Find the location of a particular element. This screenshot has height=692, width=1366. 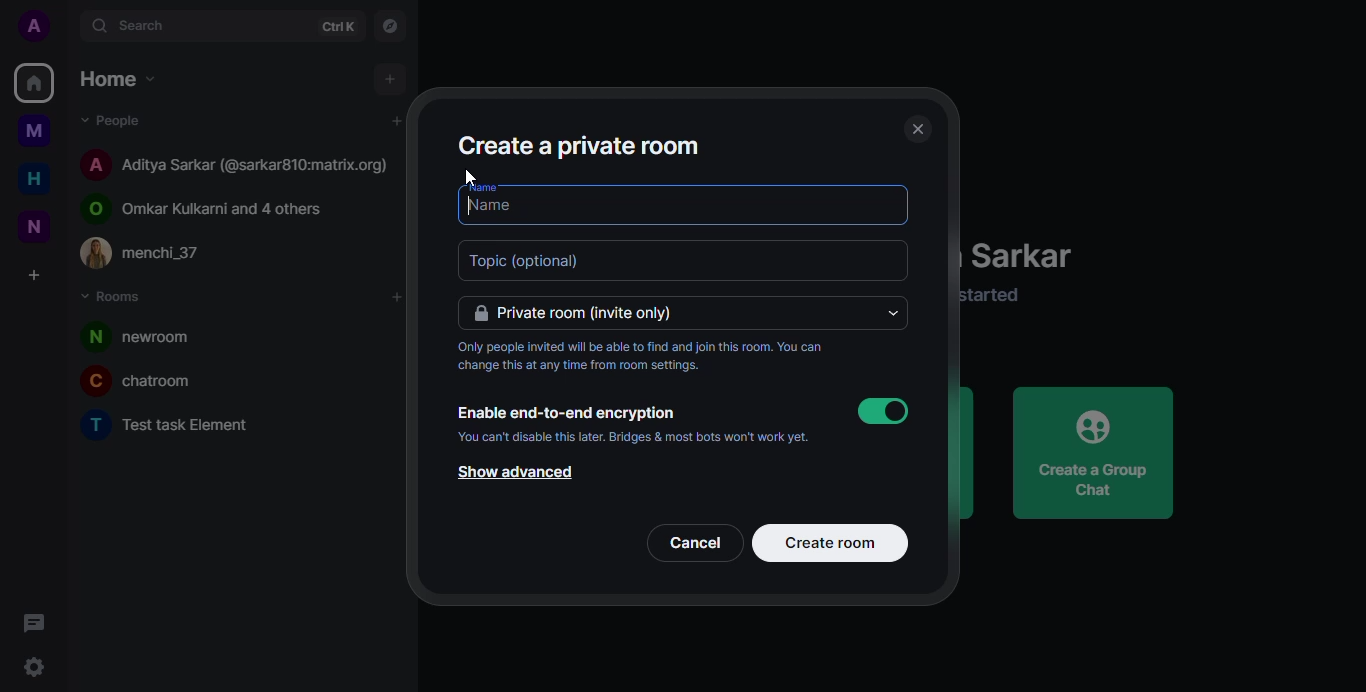

home dropdown is located at coordinates (125, 77).